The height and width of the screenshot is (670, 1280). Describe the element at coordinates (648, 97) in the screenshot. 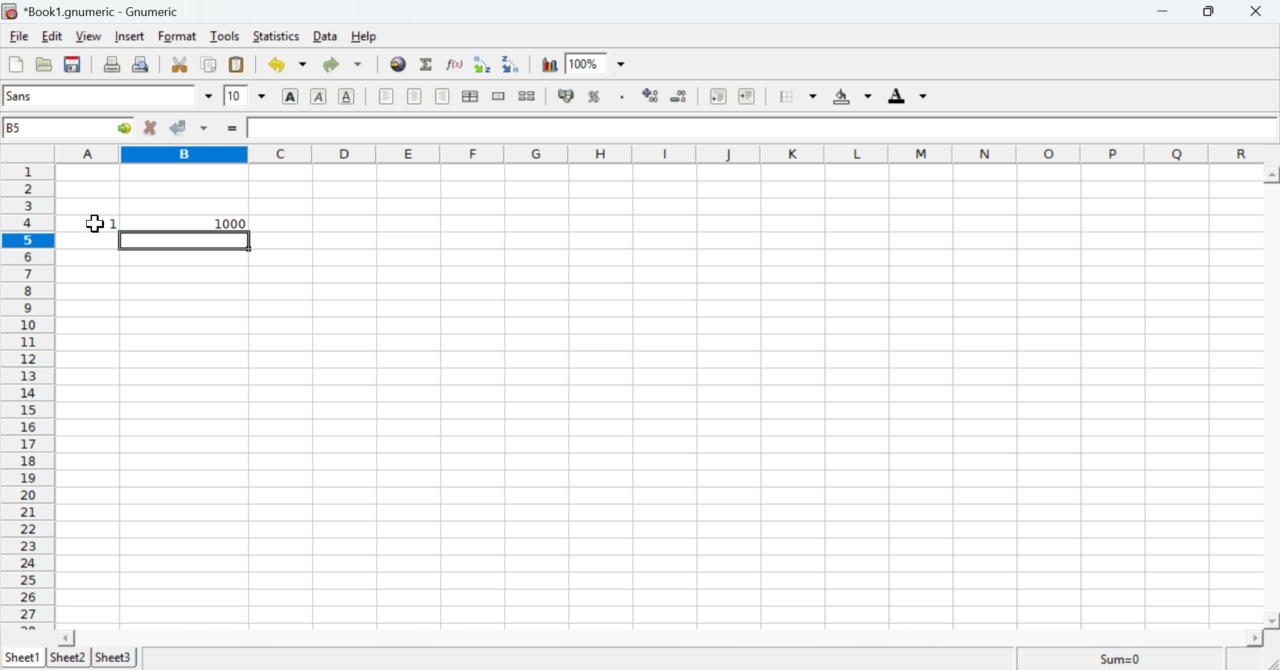

I see `Sort by ascending` at that location.